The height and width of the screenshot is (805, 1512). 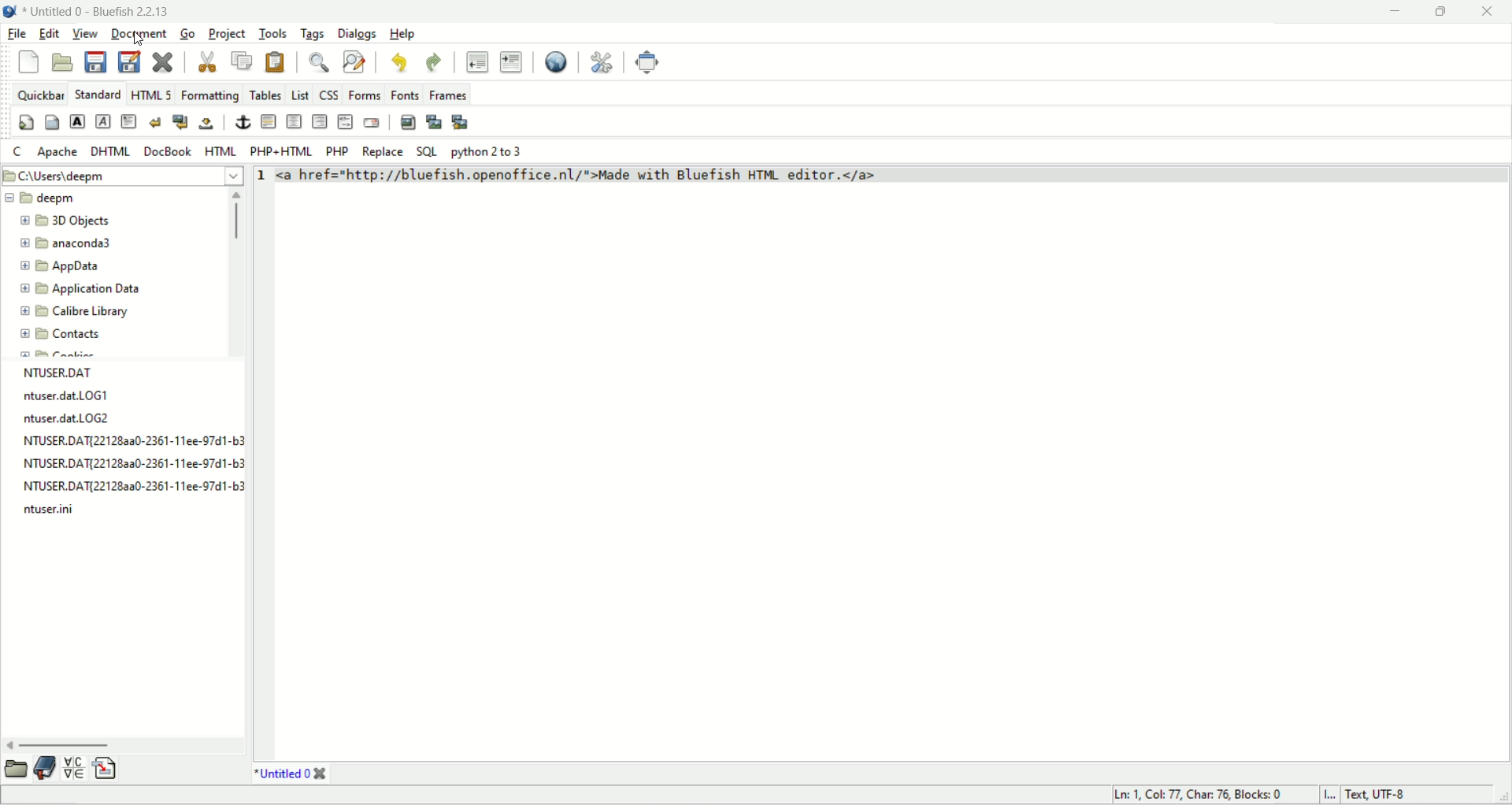 I want to click on paste, so click(x=271, y=62).